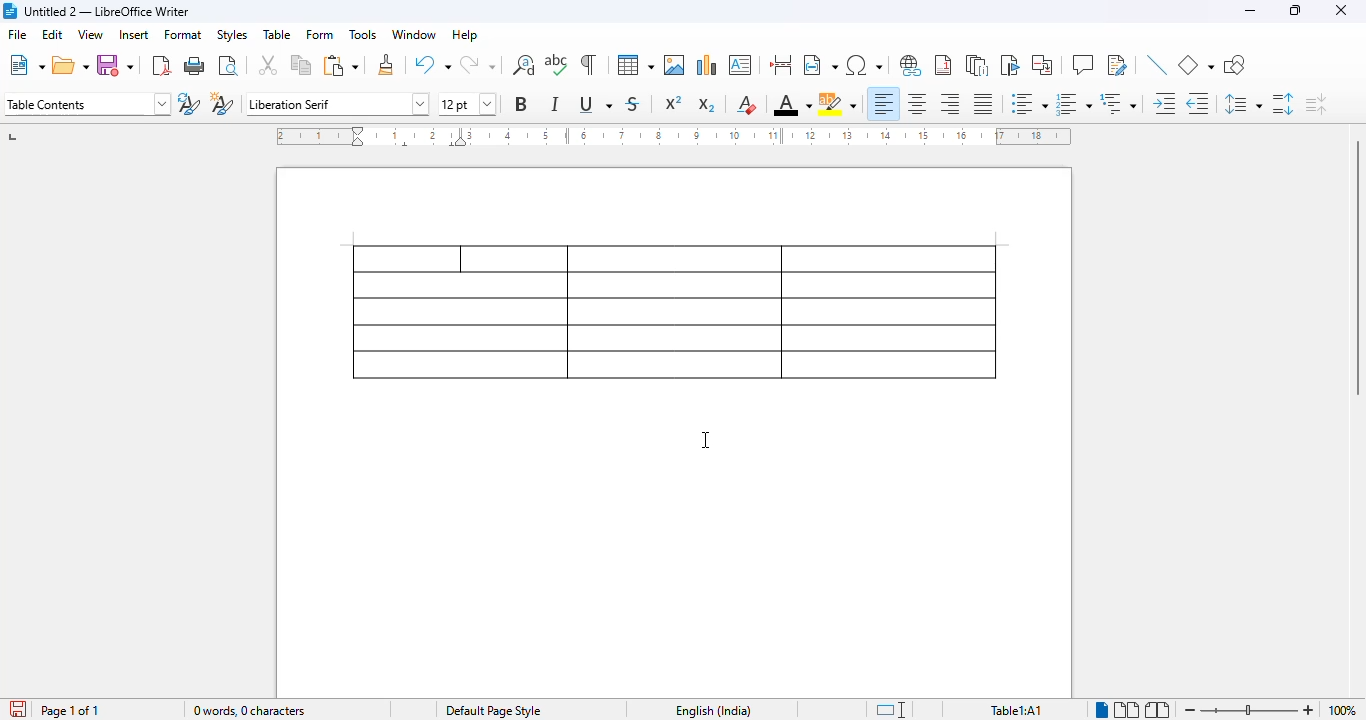 The height and width of the screenshot is (720, 1366). I want to click on edit, so click(52, 34).